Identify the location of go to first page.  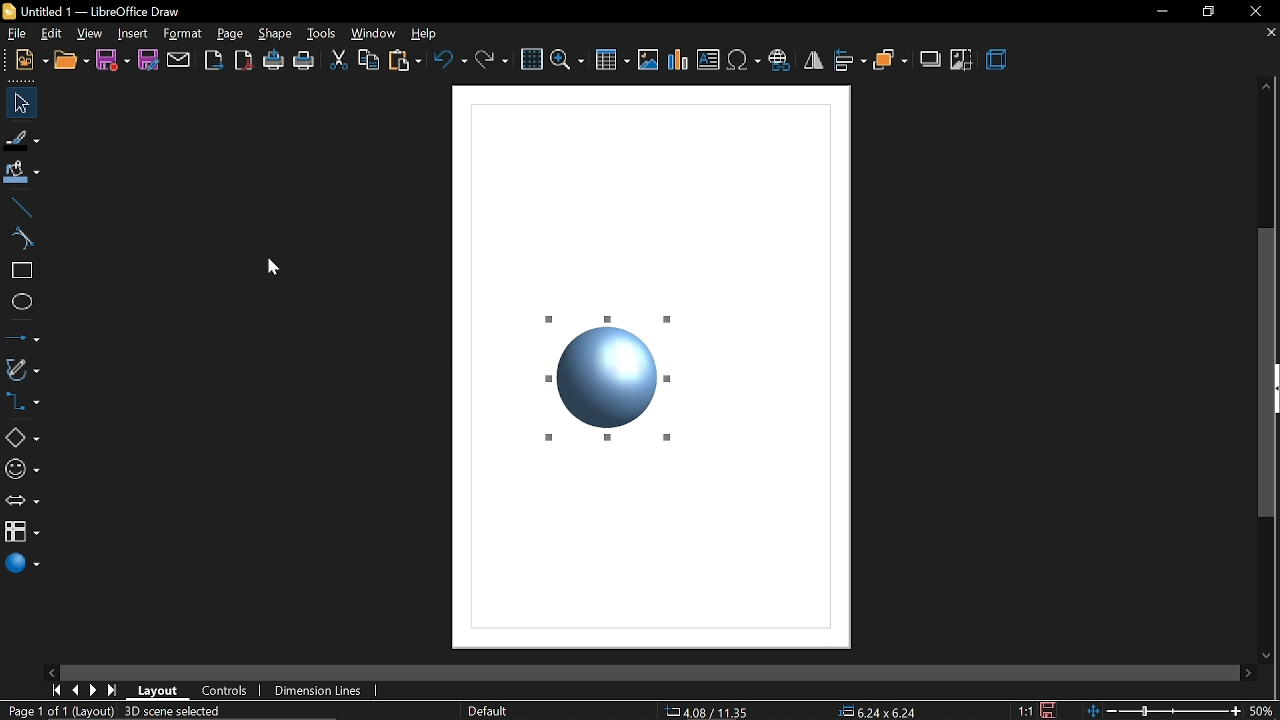
(58, 692).